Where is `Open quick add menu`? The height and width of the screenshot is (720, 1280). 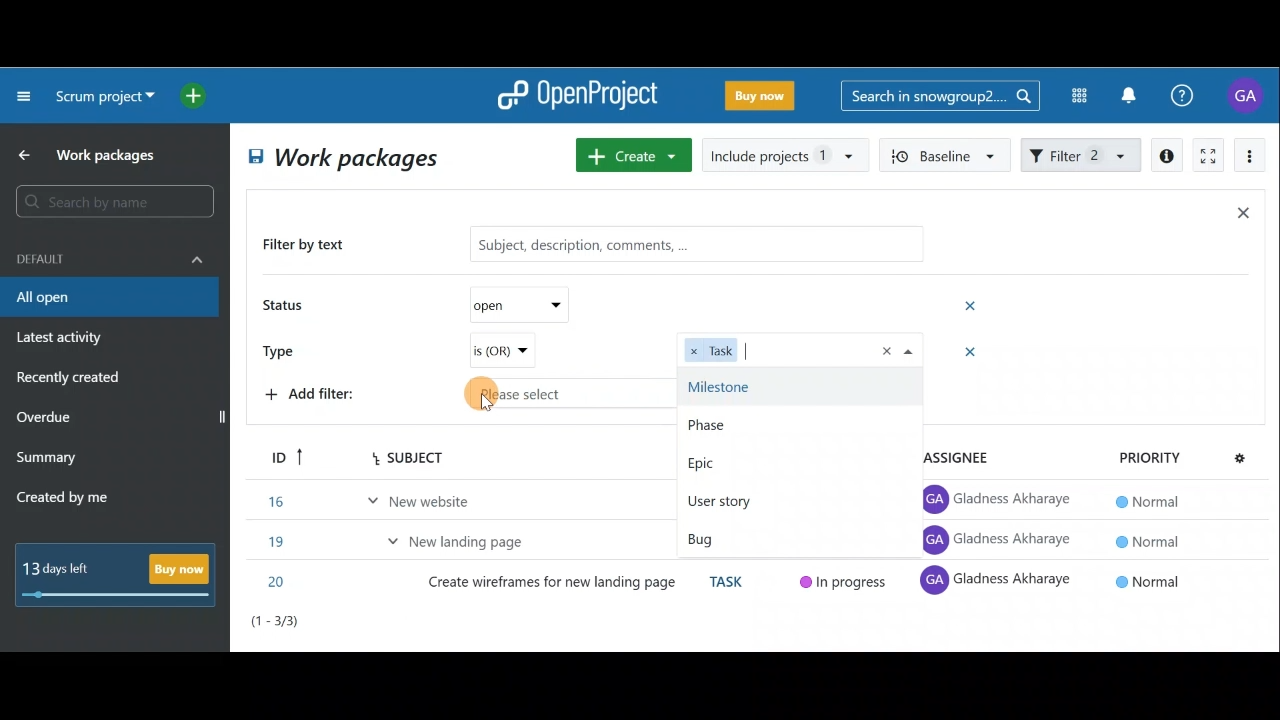 Open quick add menu is located at coordinates (197, 96).